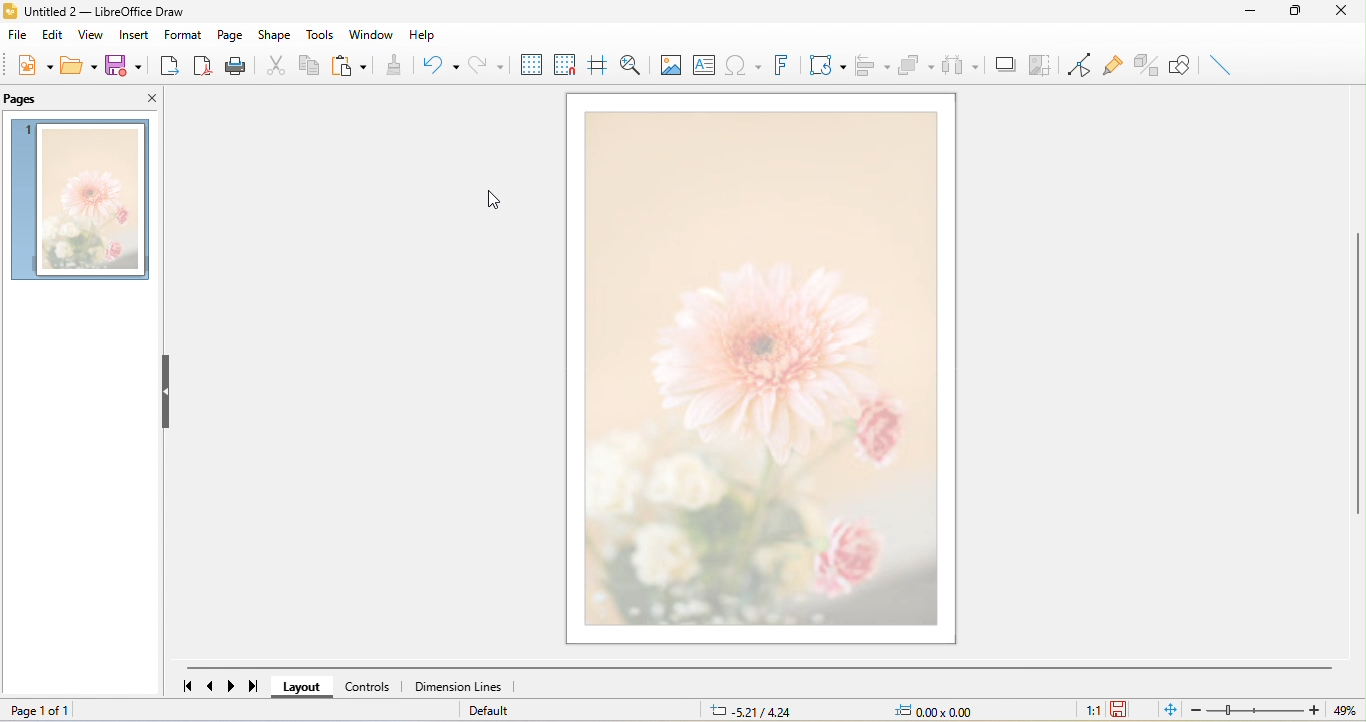 The width and height of the screenshot is (1366, 722). What do you see at coordinates (274, 36) in the screenshot?
I see `shape` at bounding box center [274, 36].